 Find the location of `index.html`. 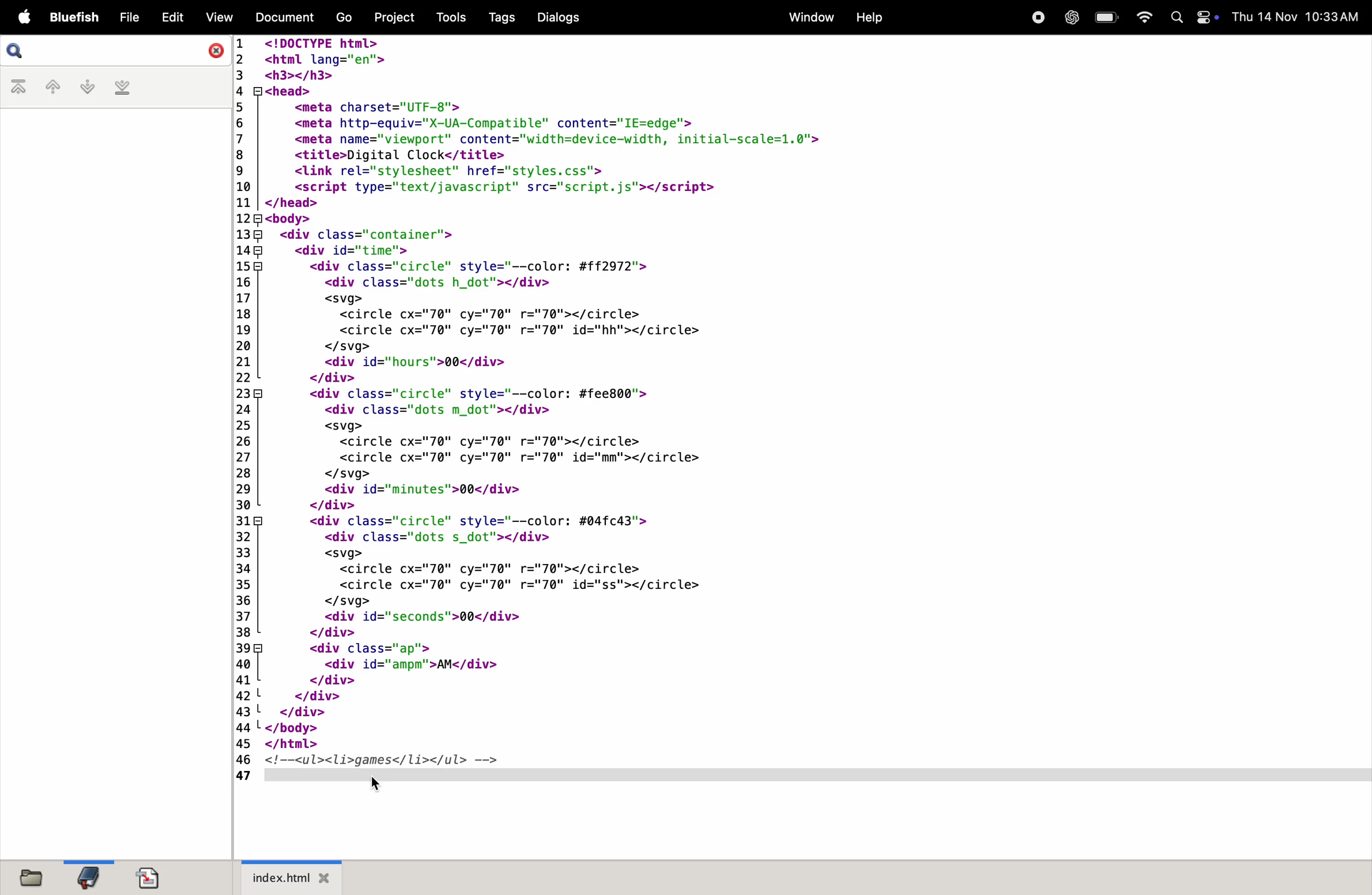

index.html is located at coordinates (290, 879).